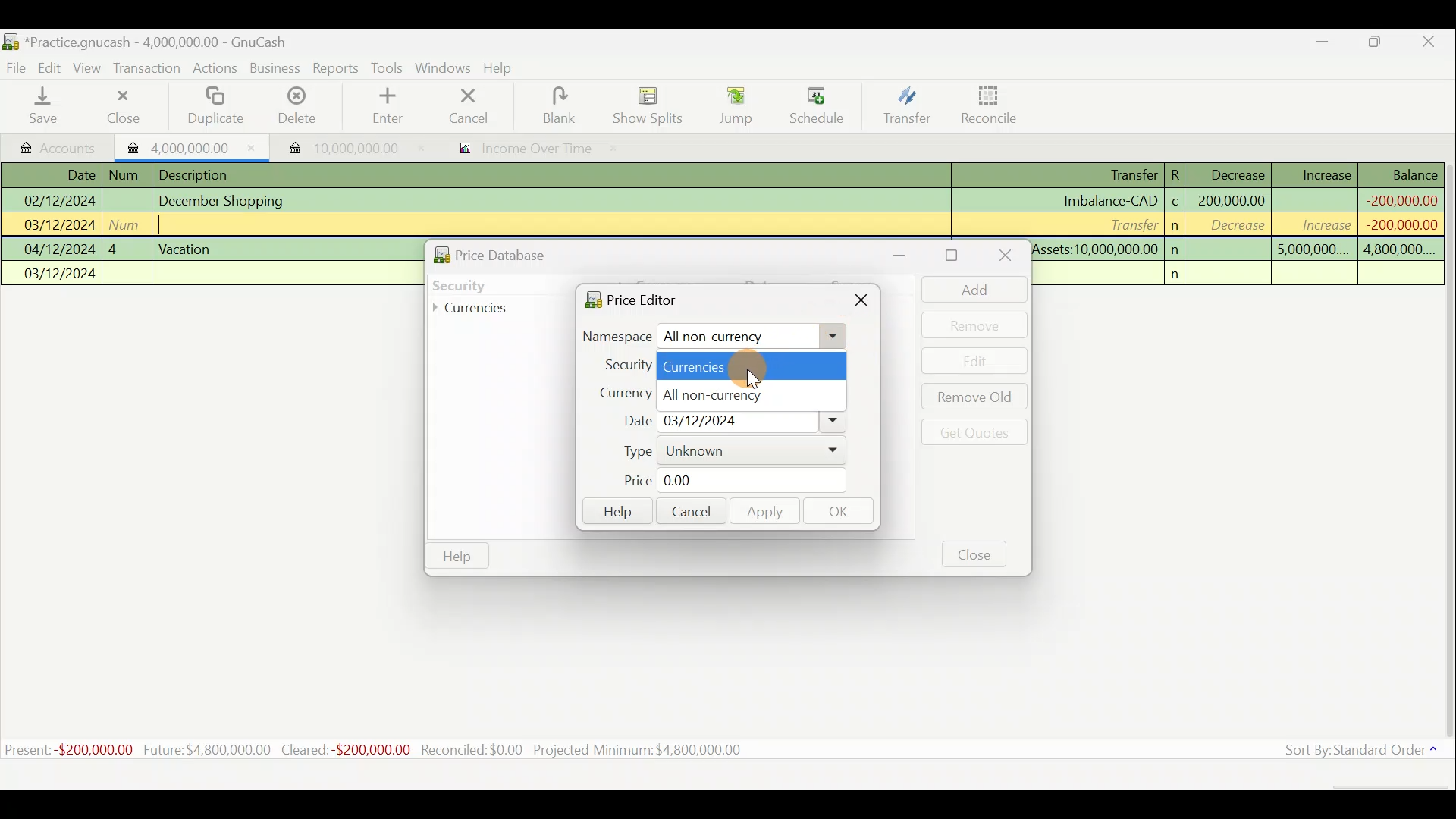 This screenshot has height=819, width=1456. I want to click on Actions, so click(217, 69).